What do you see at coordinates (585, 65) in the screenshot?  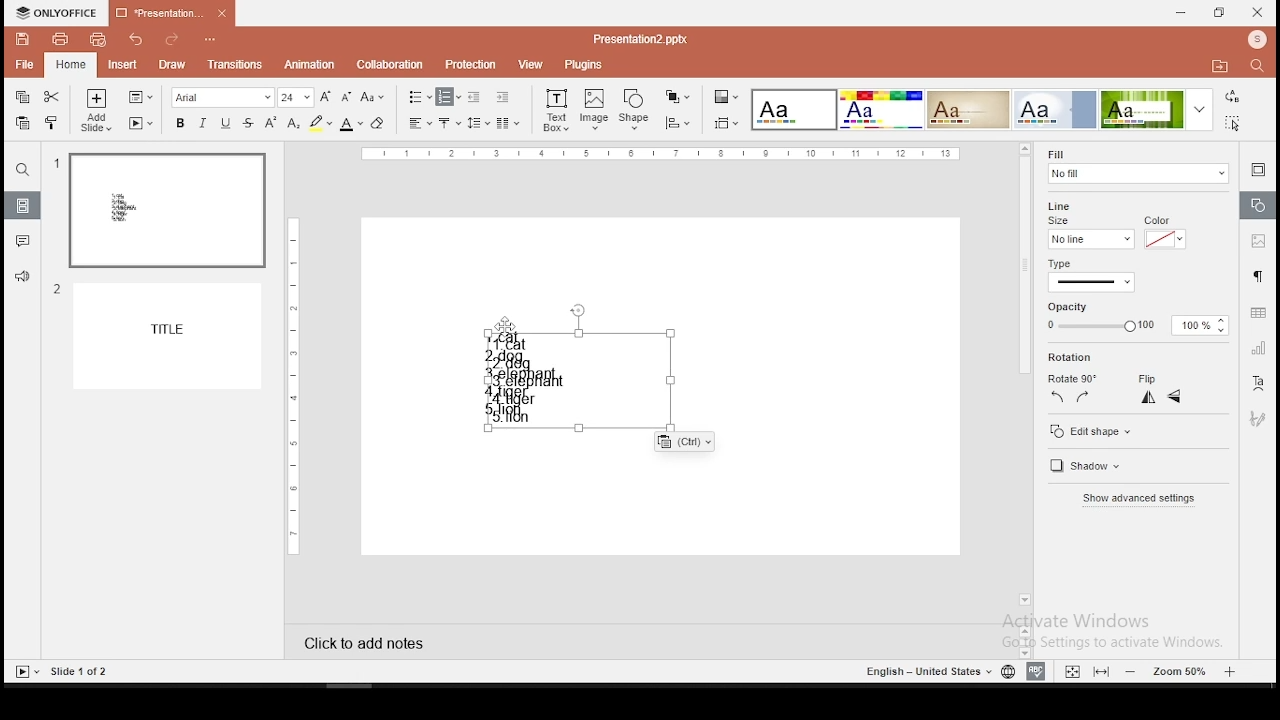 I see `plugins` at bounding box center [585, 65].